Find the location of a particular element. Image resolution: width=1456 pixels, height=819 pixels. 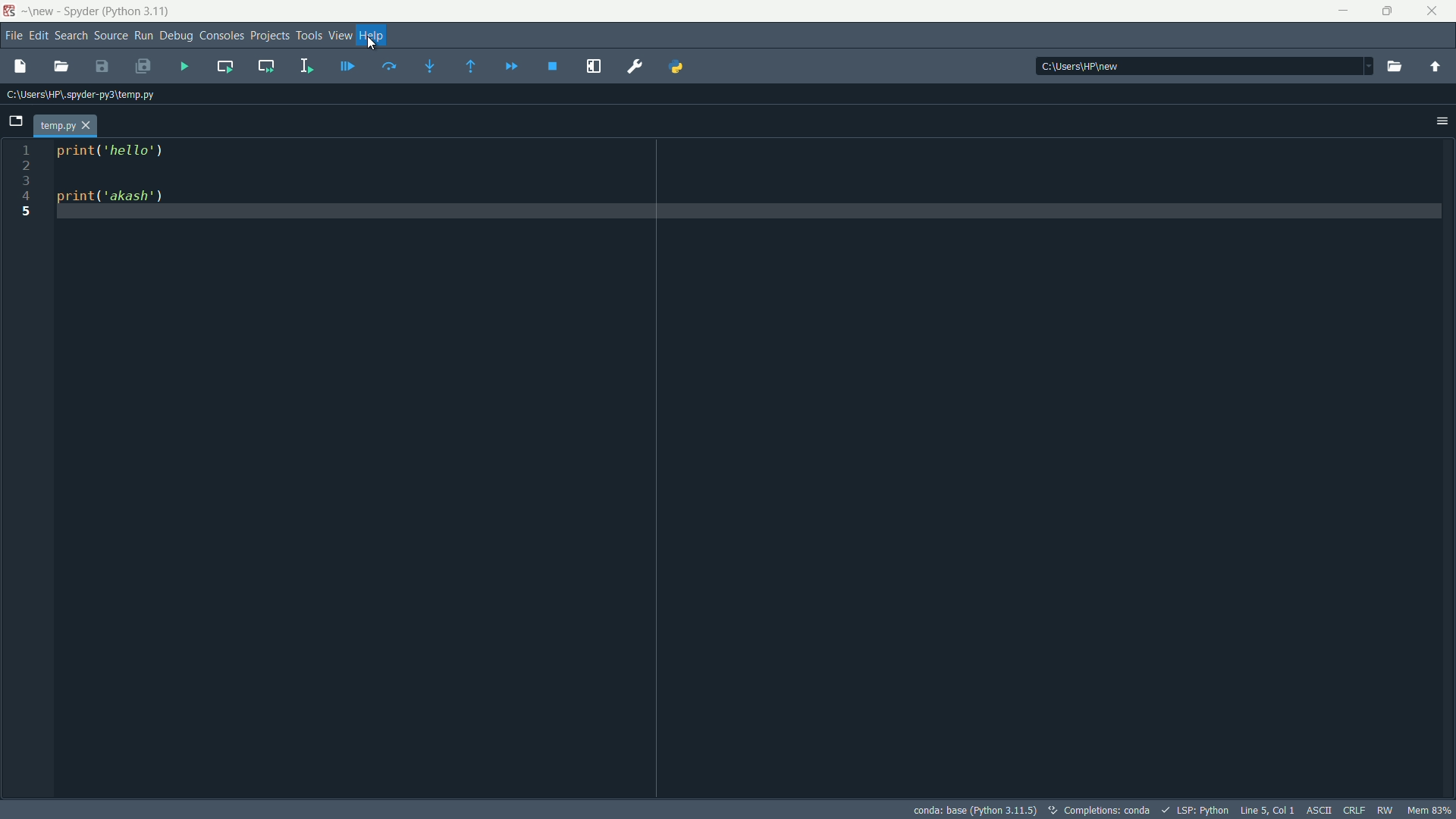

browse tabs is located at coordinates (15, 121).